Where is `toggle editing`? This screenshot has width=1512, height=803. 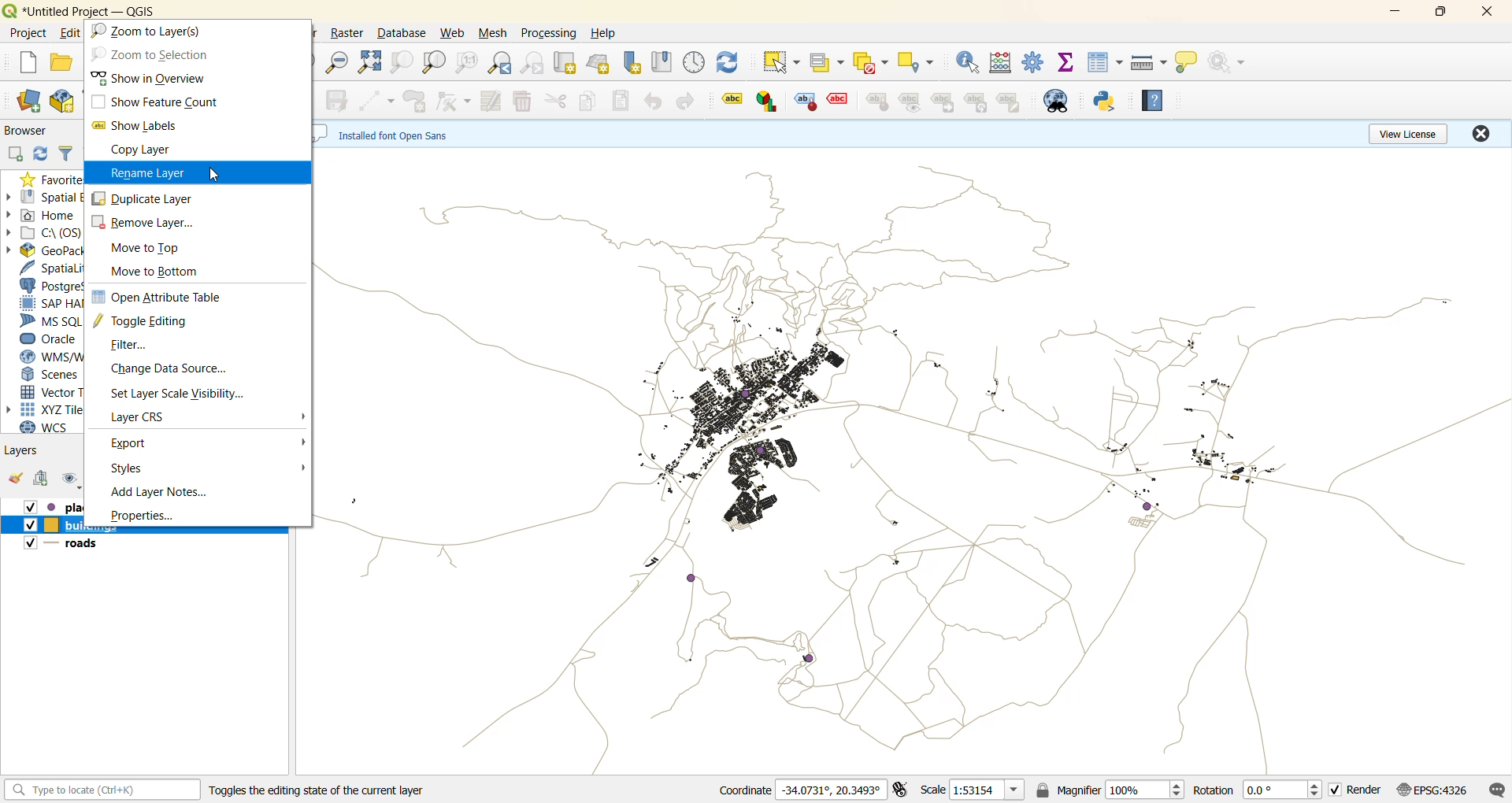
toggle editing is located at coordinates (140, 321).